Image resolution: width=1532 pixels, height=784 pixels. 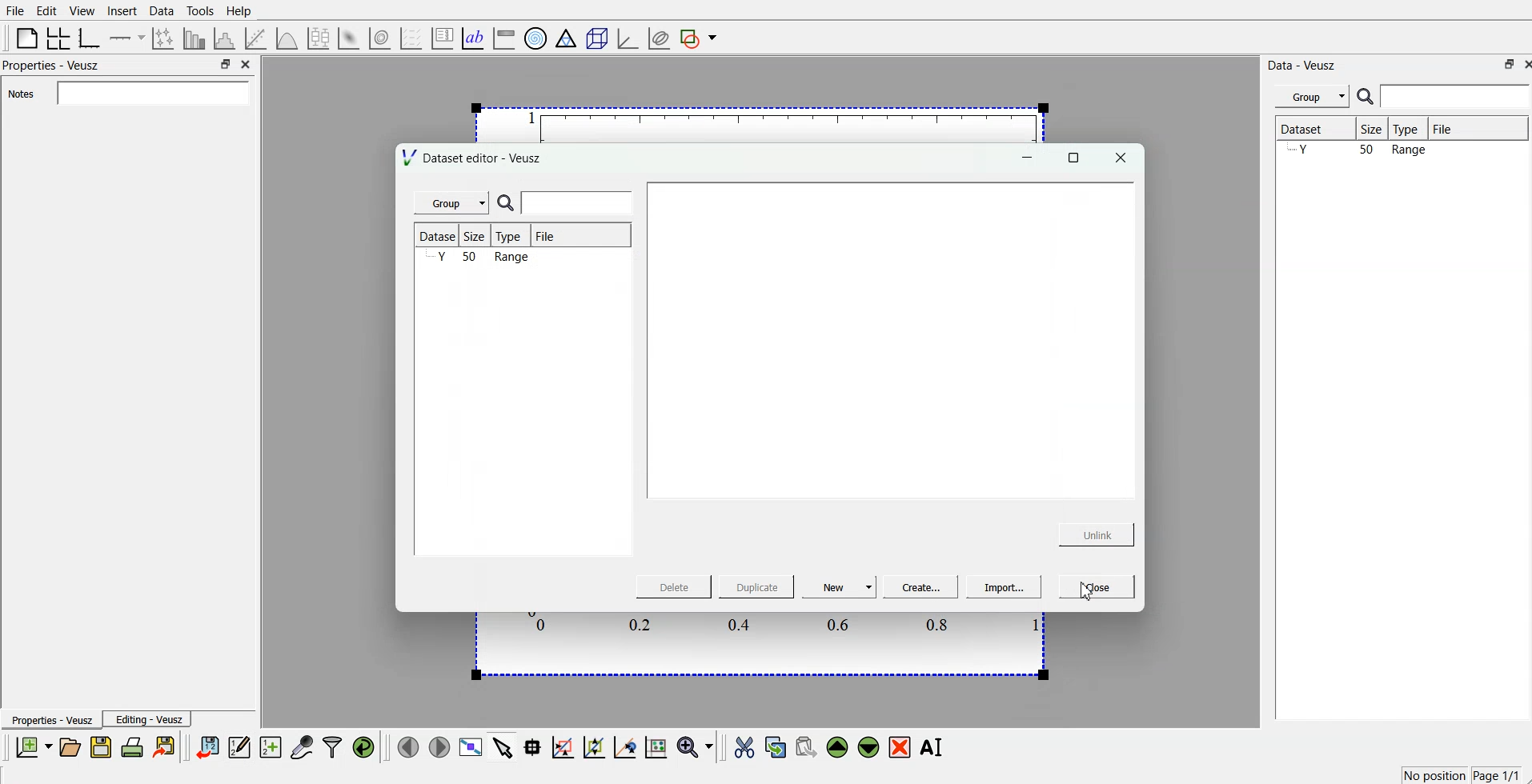 What do you see at coordinates (247, 62) in the screenshot?
I see `close` at bounding box center [247, 62].